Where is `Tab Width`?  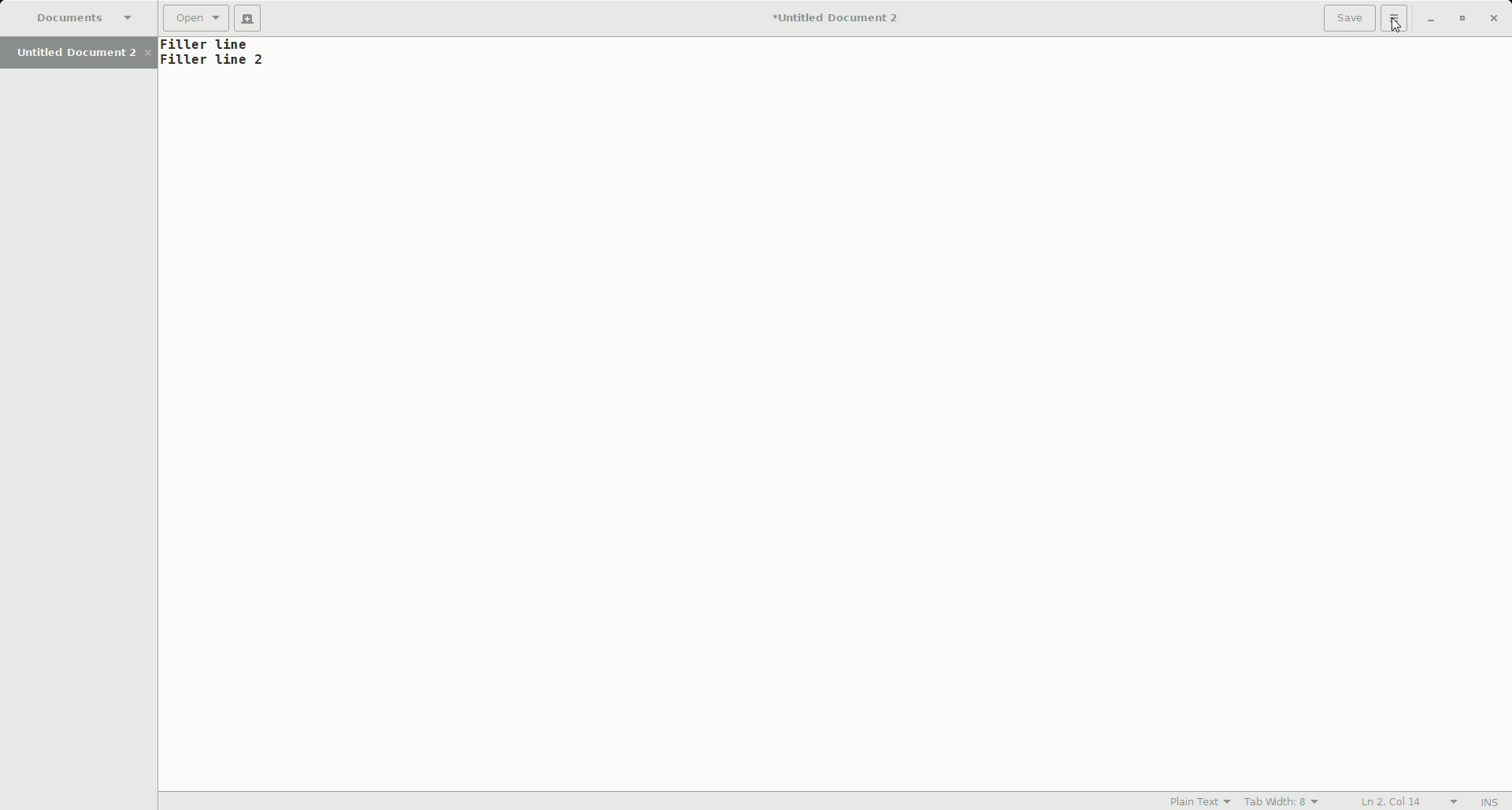
Tab Width is located at coordinates (1284, 800).